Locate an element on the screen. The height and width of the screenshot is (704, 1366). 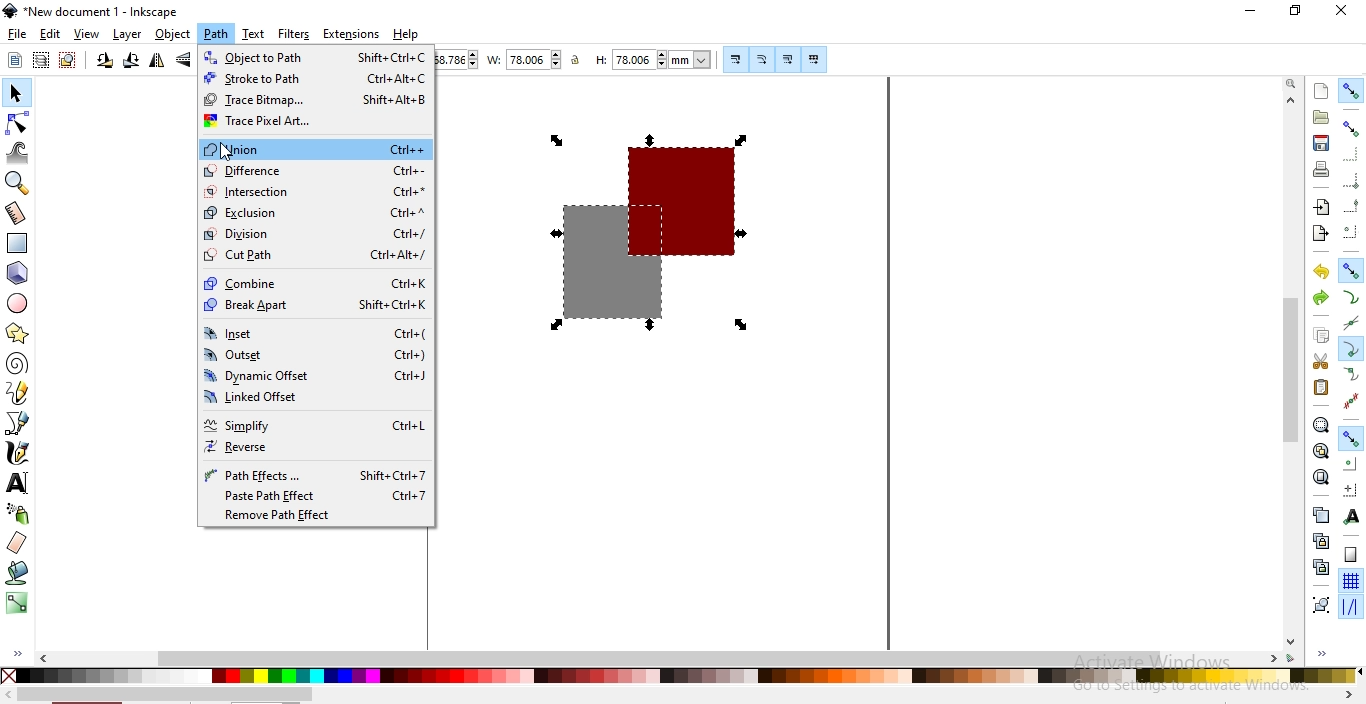
create a document with default background is located at coordinates (1321, 91).